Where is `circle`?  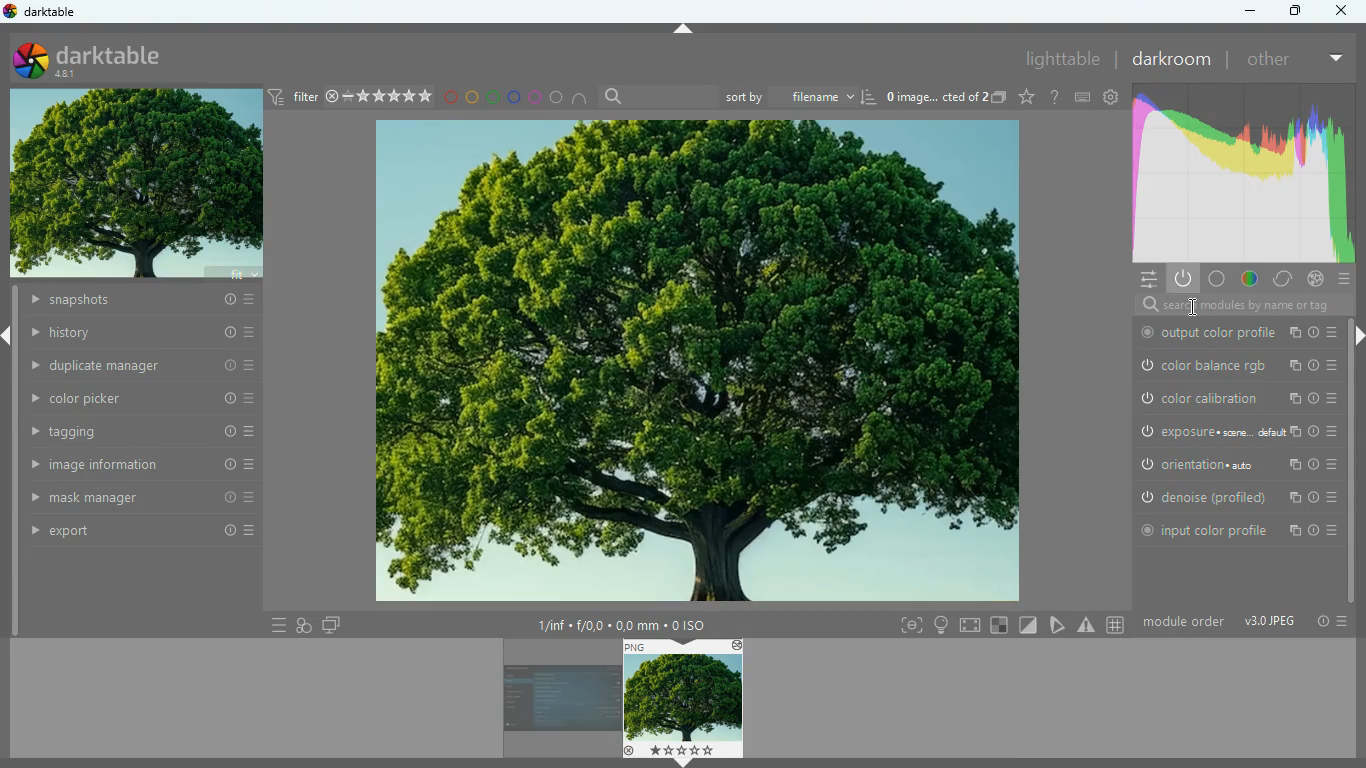
circle is located at coordinates (557, 98).